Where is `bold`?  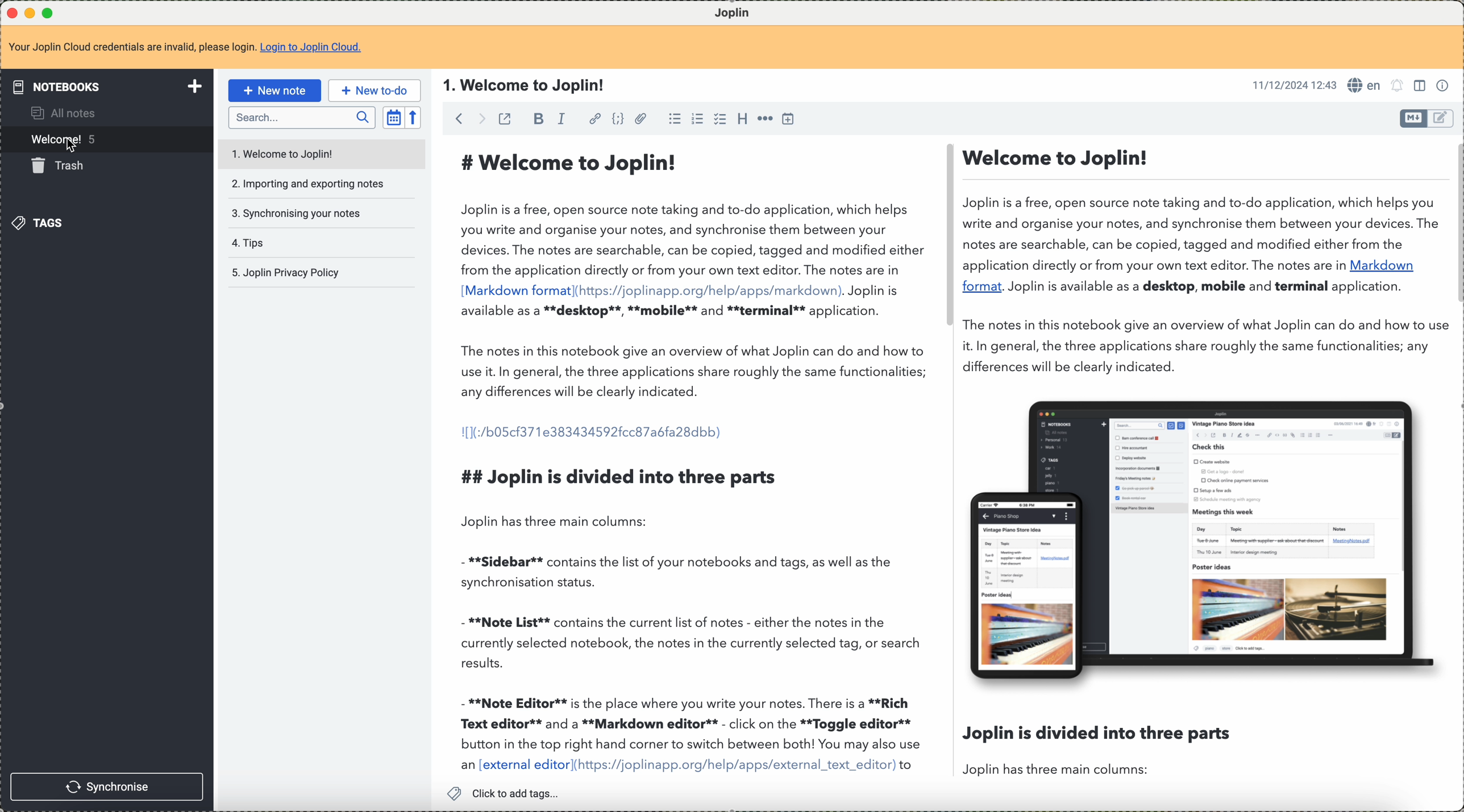 bold is located at coordinates (537, 120).